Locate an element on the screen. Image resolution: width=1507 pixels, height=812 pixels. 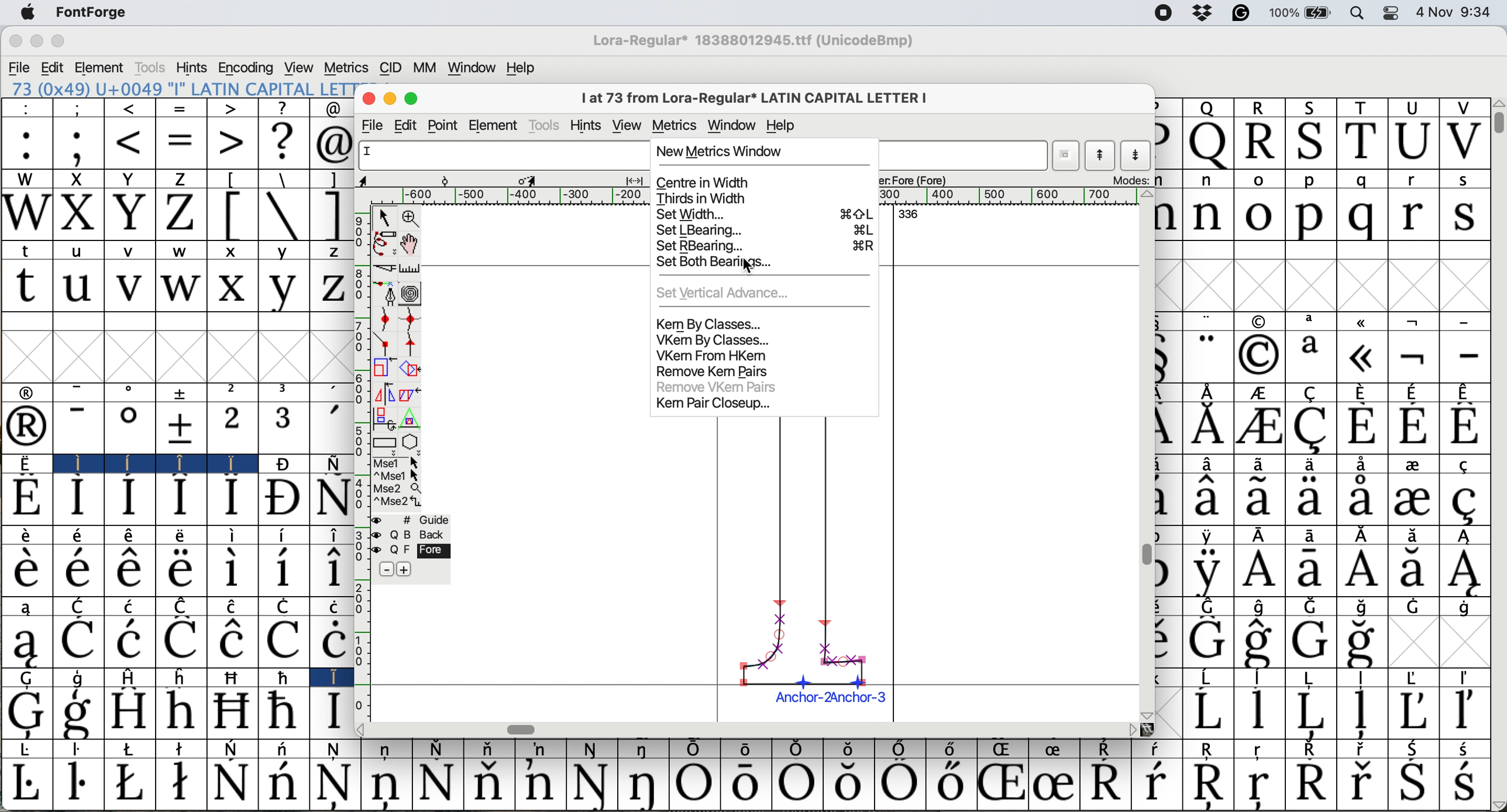
Symbol is located at coordinates (229, 782).